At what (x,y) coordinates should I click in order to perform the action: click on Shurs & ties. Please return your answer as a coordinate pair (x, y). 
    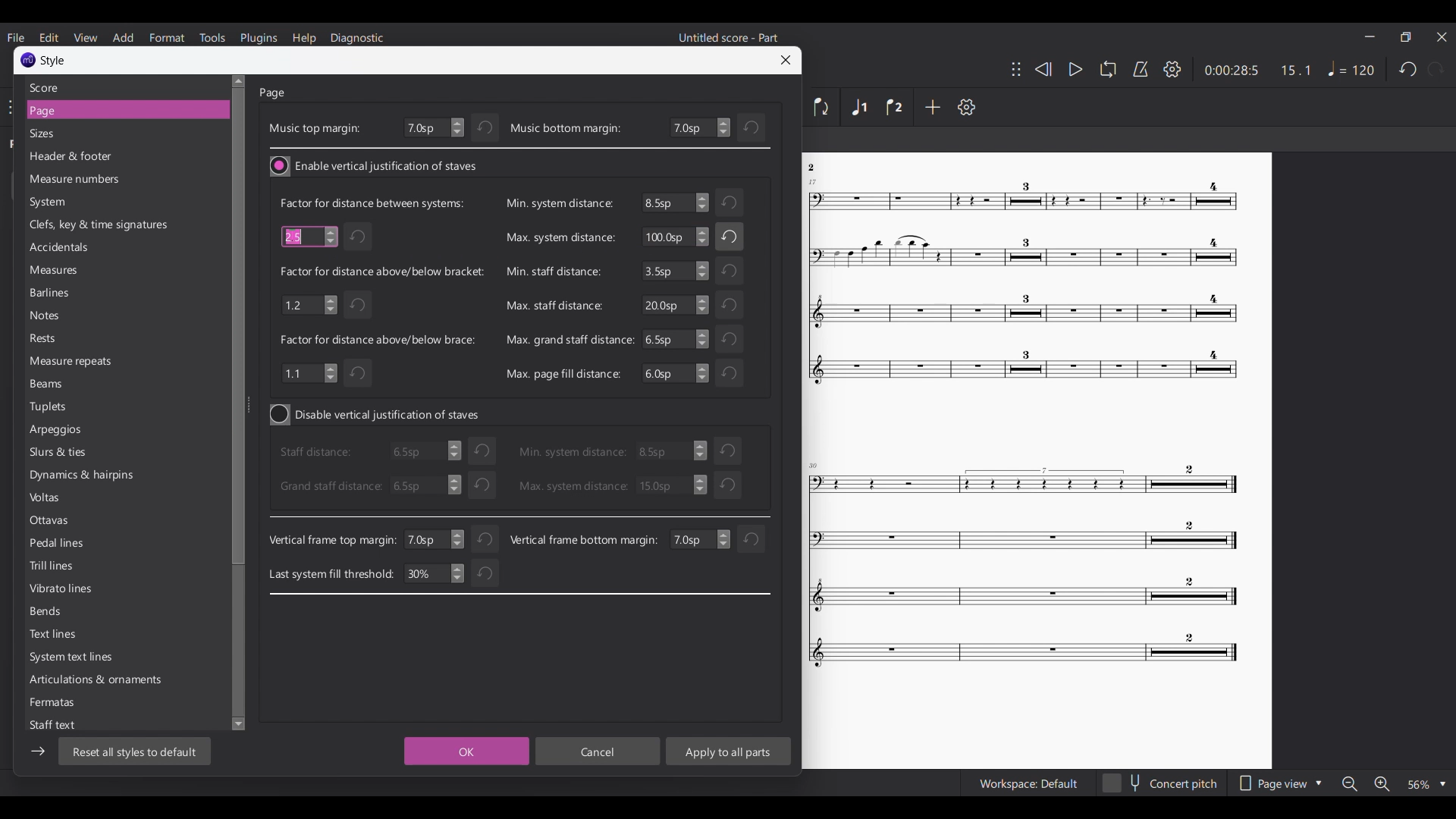
    Looking at the image, I should click on (68, 453).